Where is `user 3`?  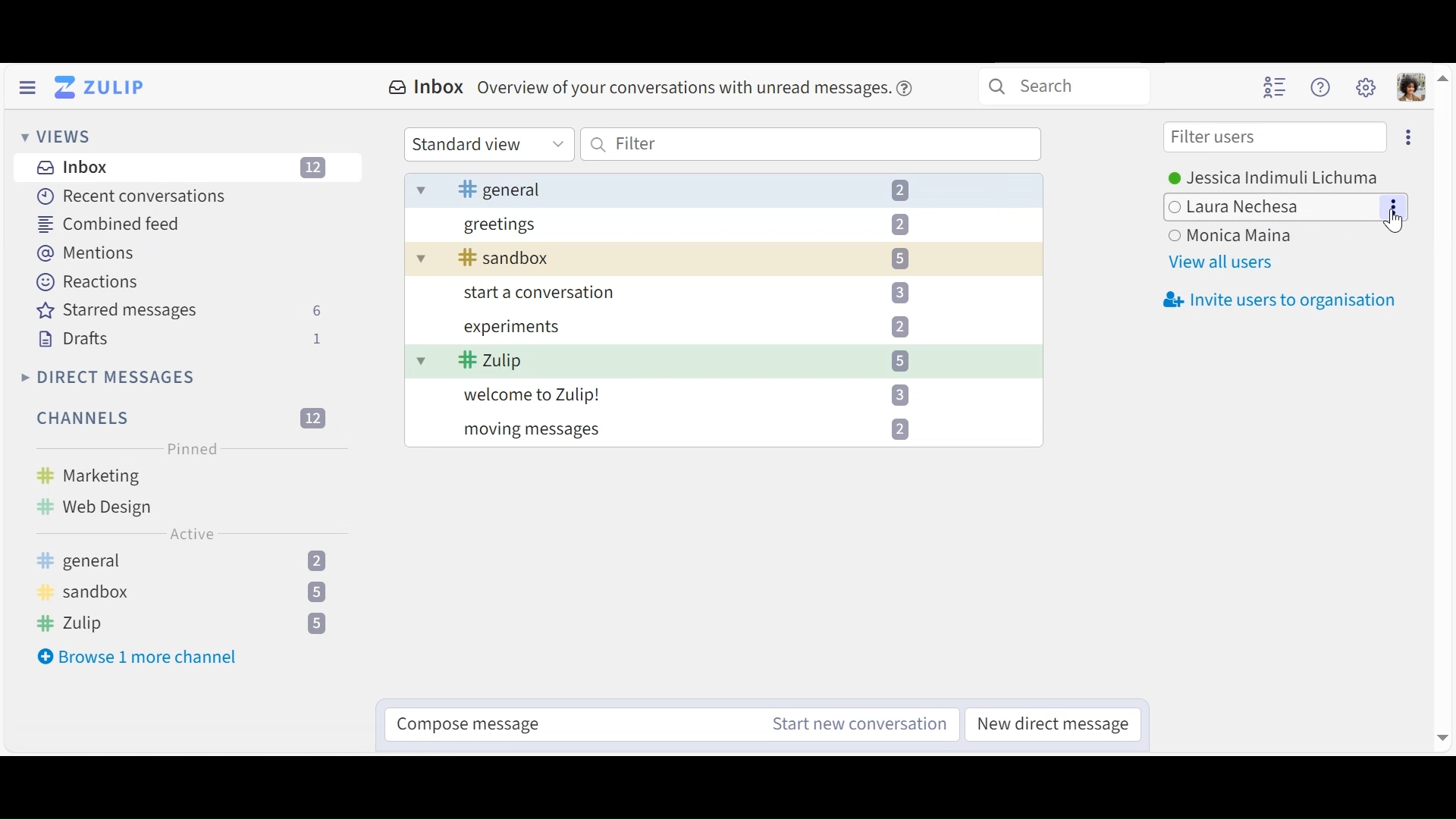
user 3 is located at coordinates (1229, 236).